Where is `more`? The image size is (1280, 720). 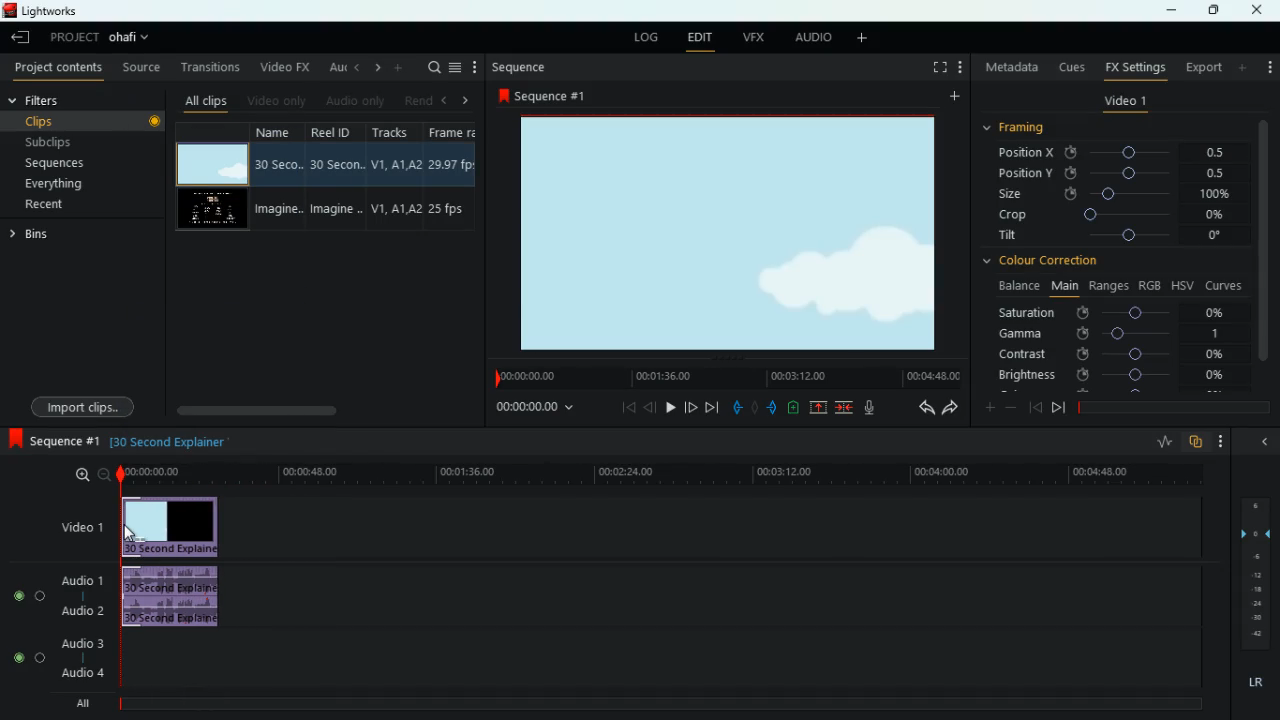 more is located at coordinates (1268, 68).